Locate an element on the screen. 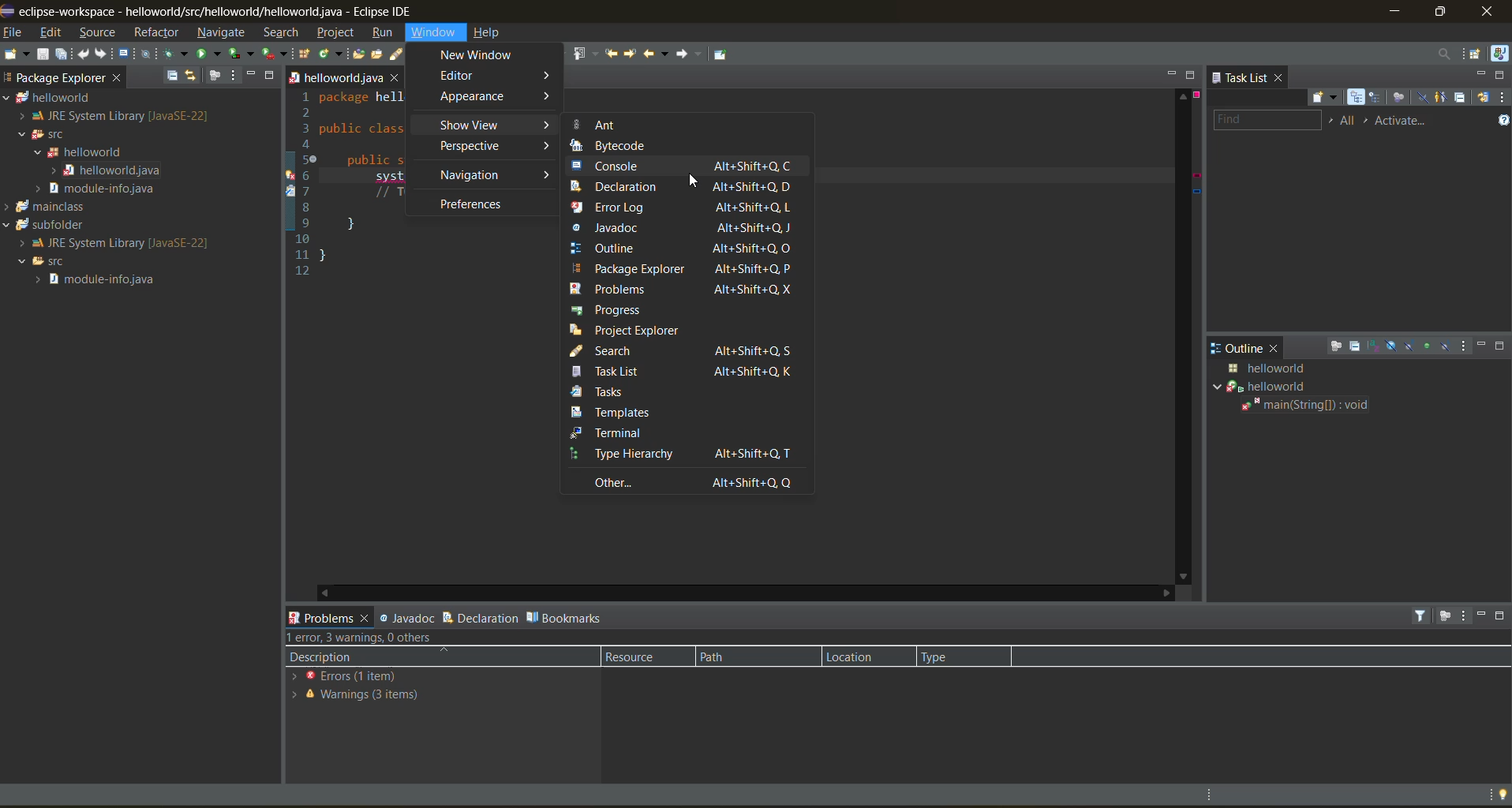 This screenshot has height=808, width=1512. preferences is located at coordinates (488, 203).